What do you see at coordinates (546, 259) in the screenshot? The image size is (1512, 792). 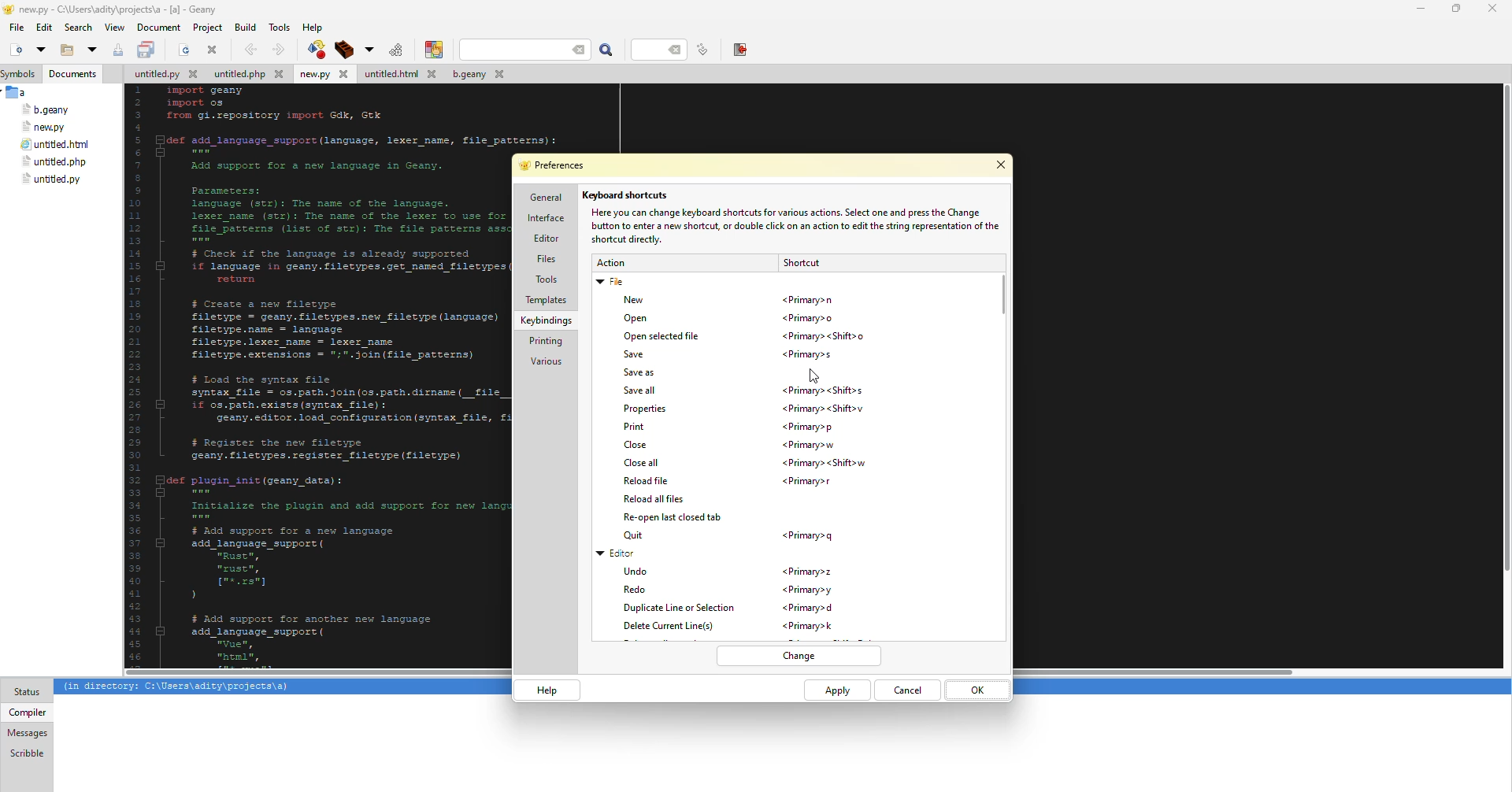 I see `files` at bounding box center [546, 259].